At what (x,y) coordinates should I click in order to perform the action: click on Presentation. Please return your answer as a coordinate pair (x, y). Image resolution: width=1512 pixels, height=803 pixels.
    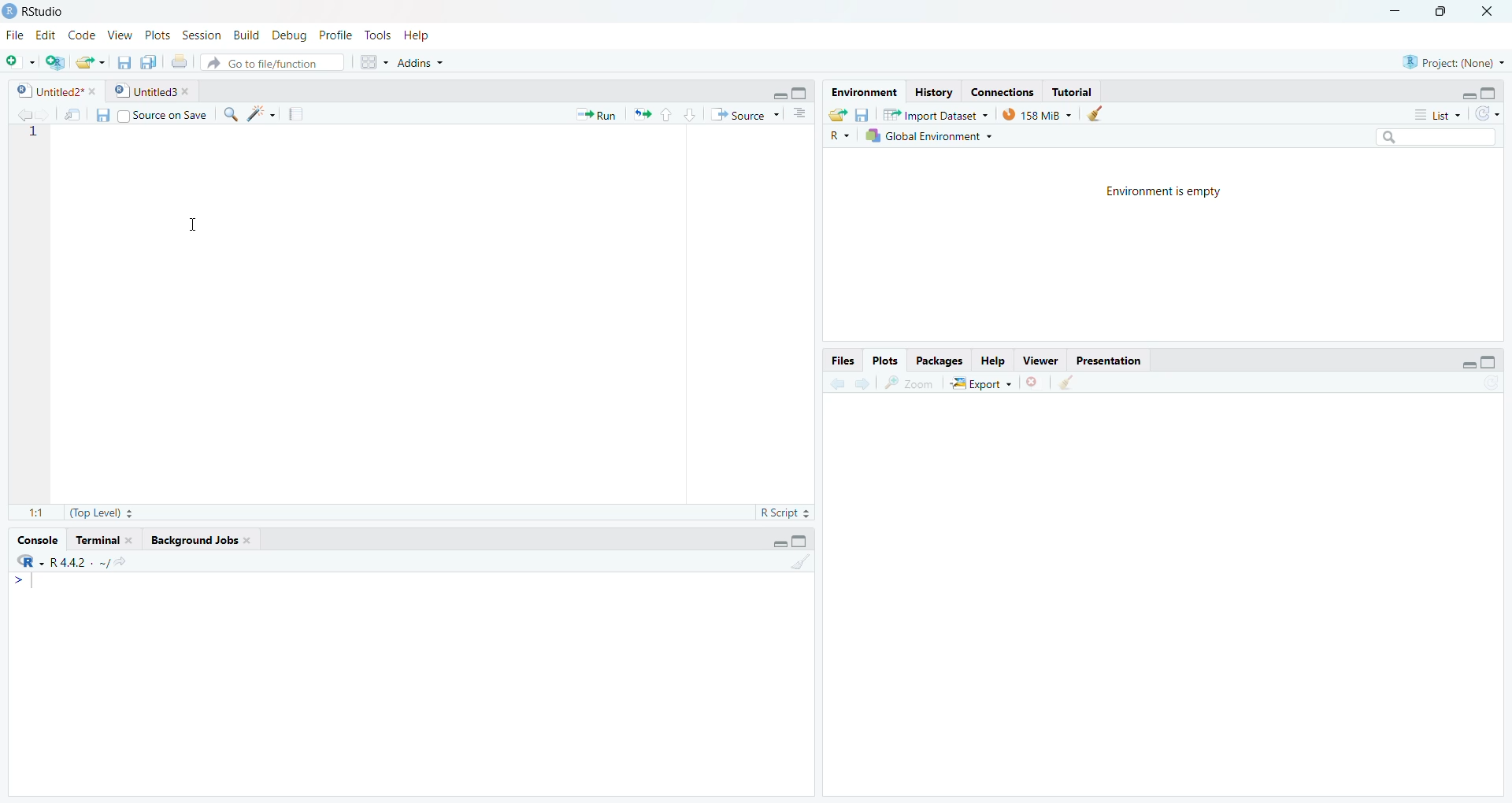
    Looking at the image, I should click on (1116, 360).